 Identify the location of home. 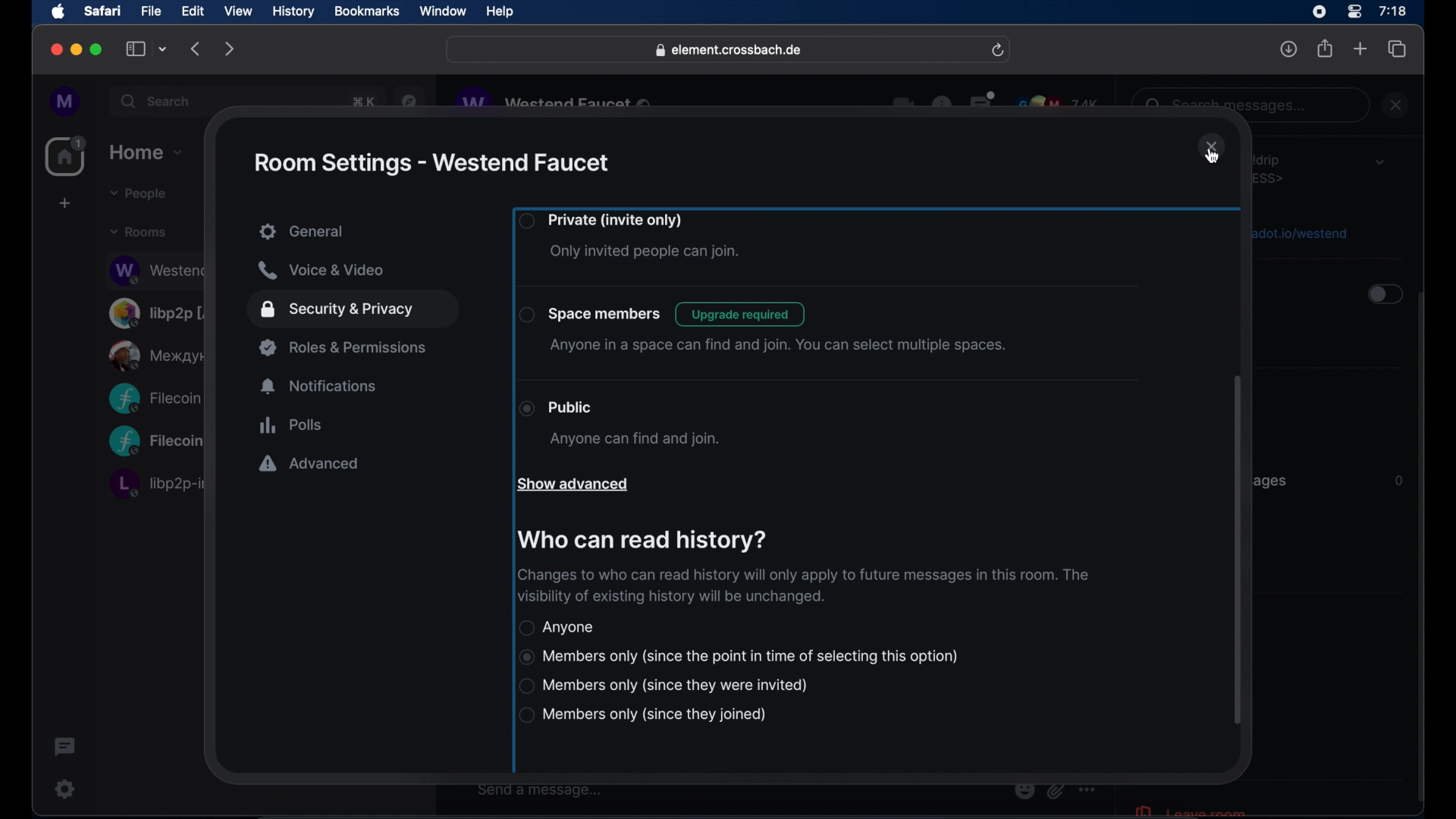
(67, 156).